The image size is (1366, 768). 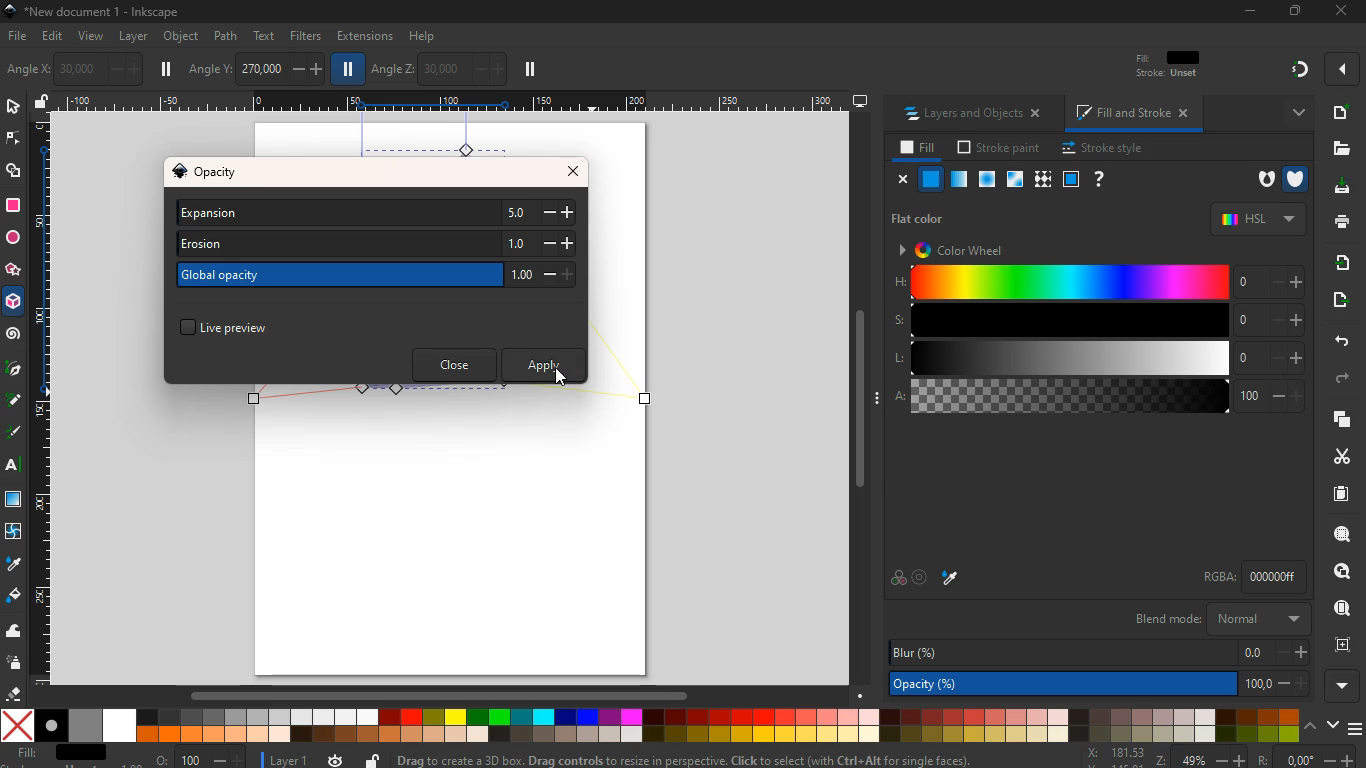 I want to click on expansion, so click(x=376, y=213).